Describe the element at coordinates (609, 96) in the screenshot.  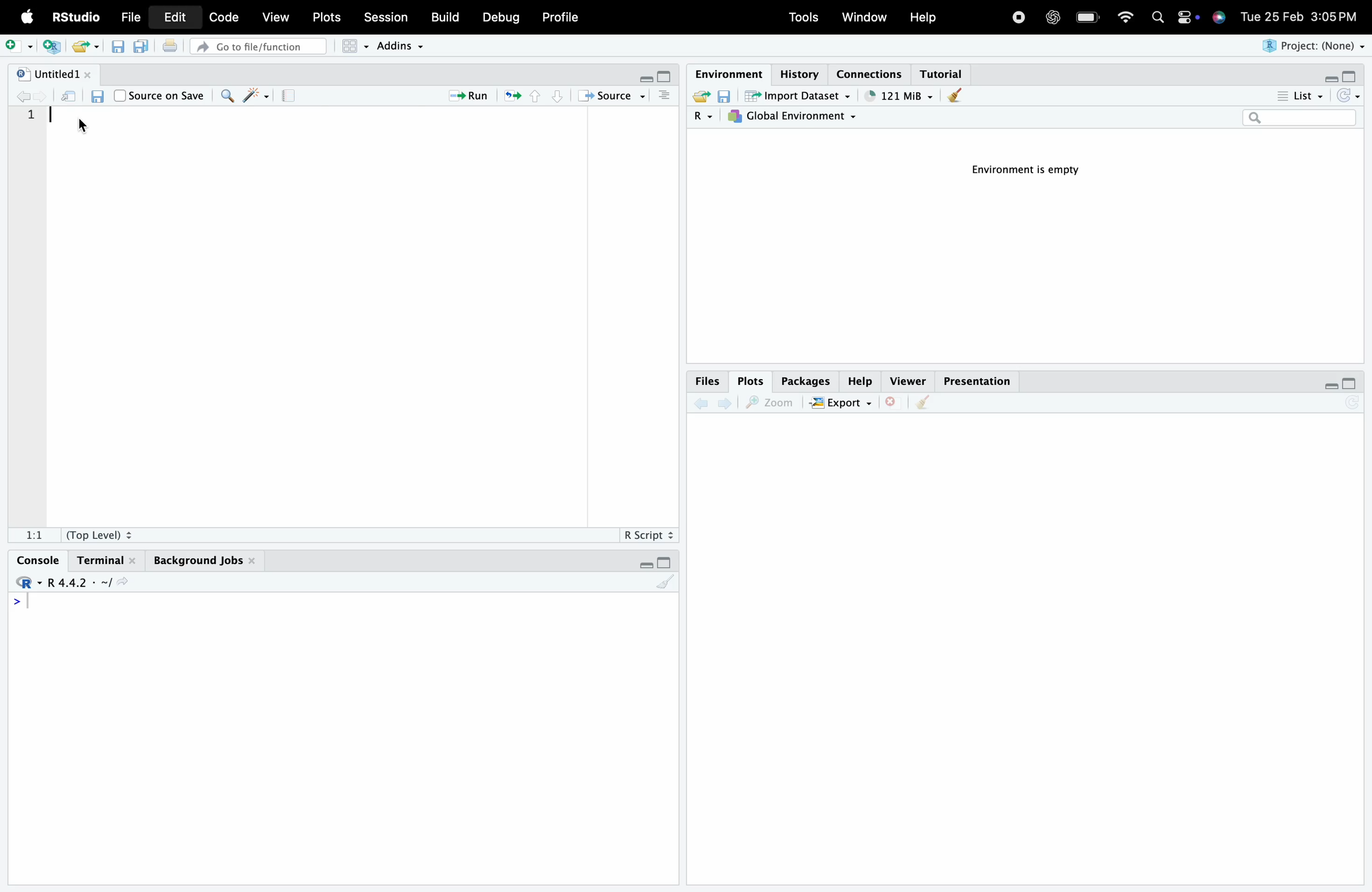
I see `Source the contents of the active document` at that location.